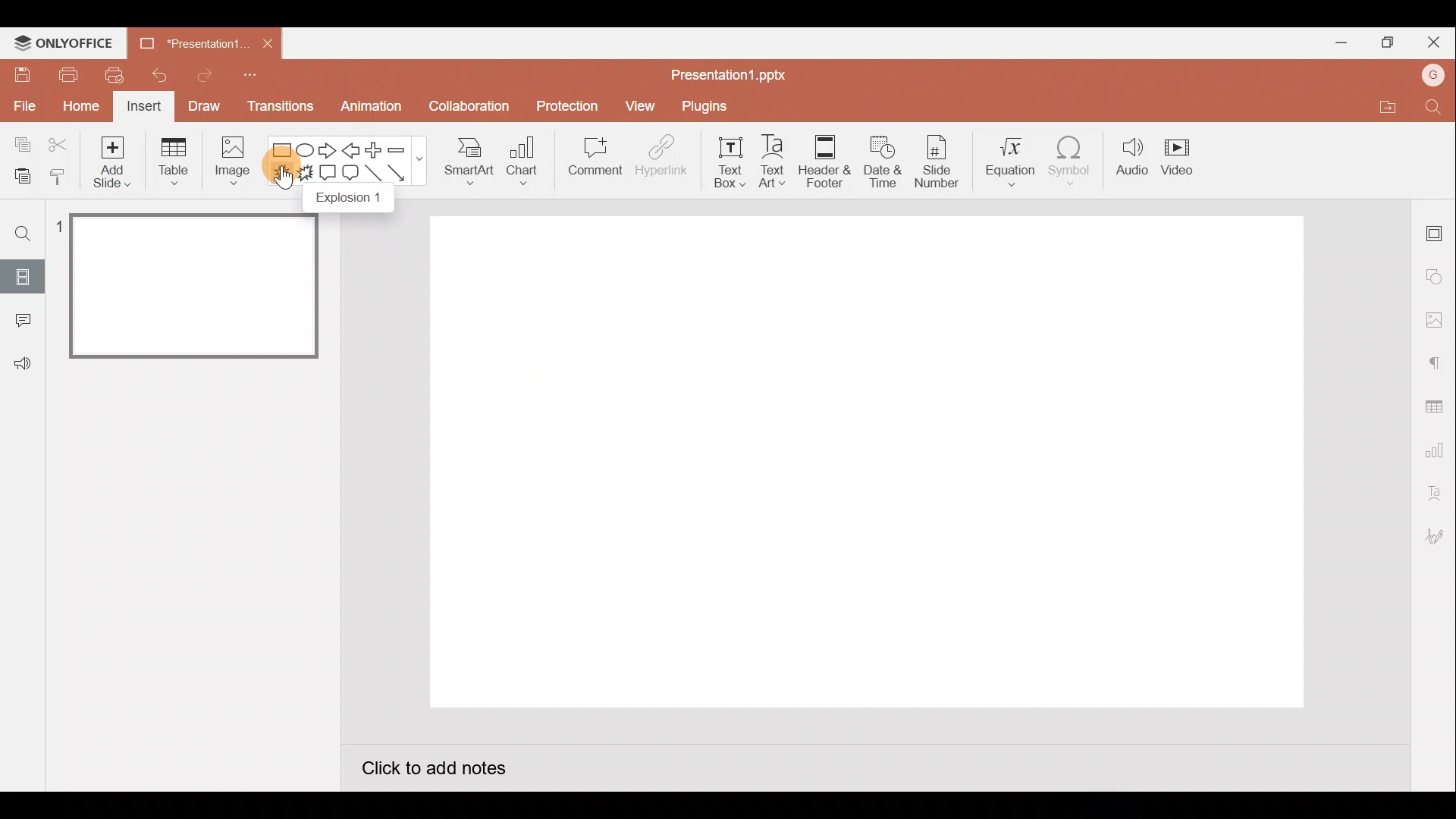 The image size is (1456, 819). Describe the element at coordinates (21, 178) in the screenshot. I see `Paste` at that location.